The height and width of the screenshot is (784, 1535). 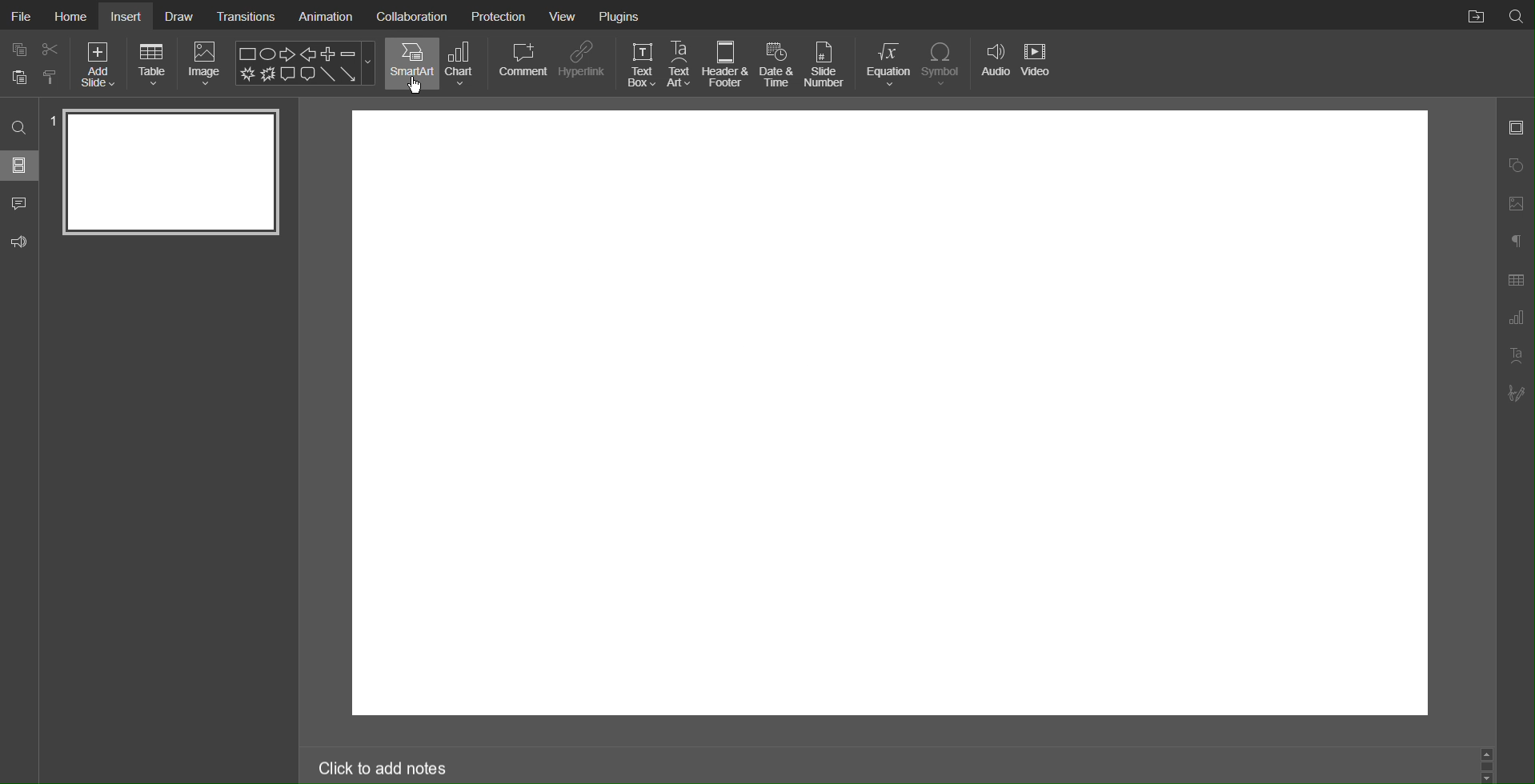 I want to click on work space, so click(x=890, y=411).